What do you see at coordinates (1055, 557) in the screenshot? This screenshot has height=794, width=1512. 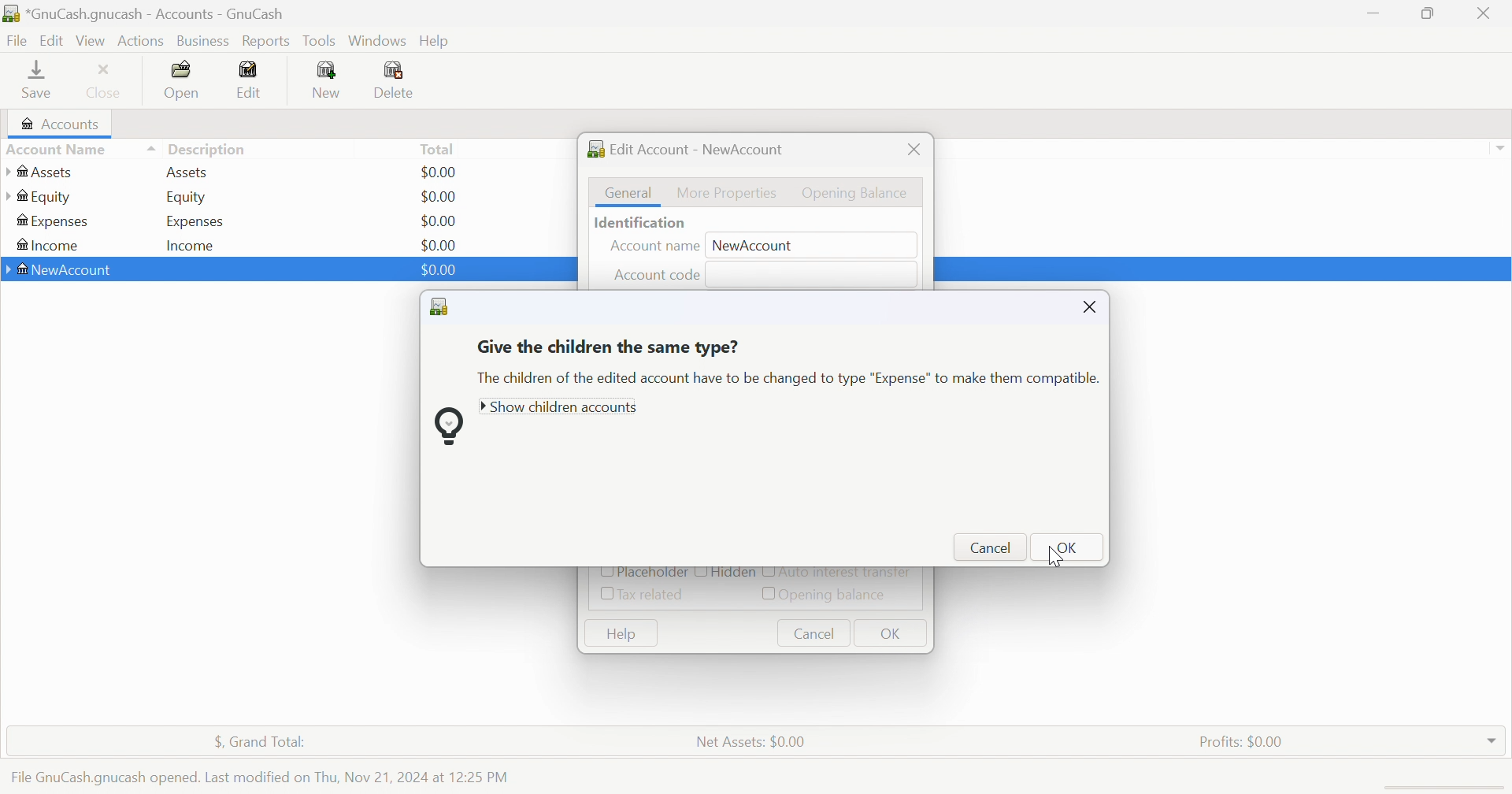 I see `Cursor` at bounding box center [1055, 557].